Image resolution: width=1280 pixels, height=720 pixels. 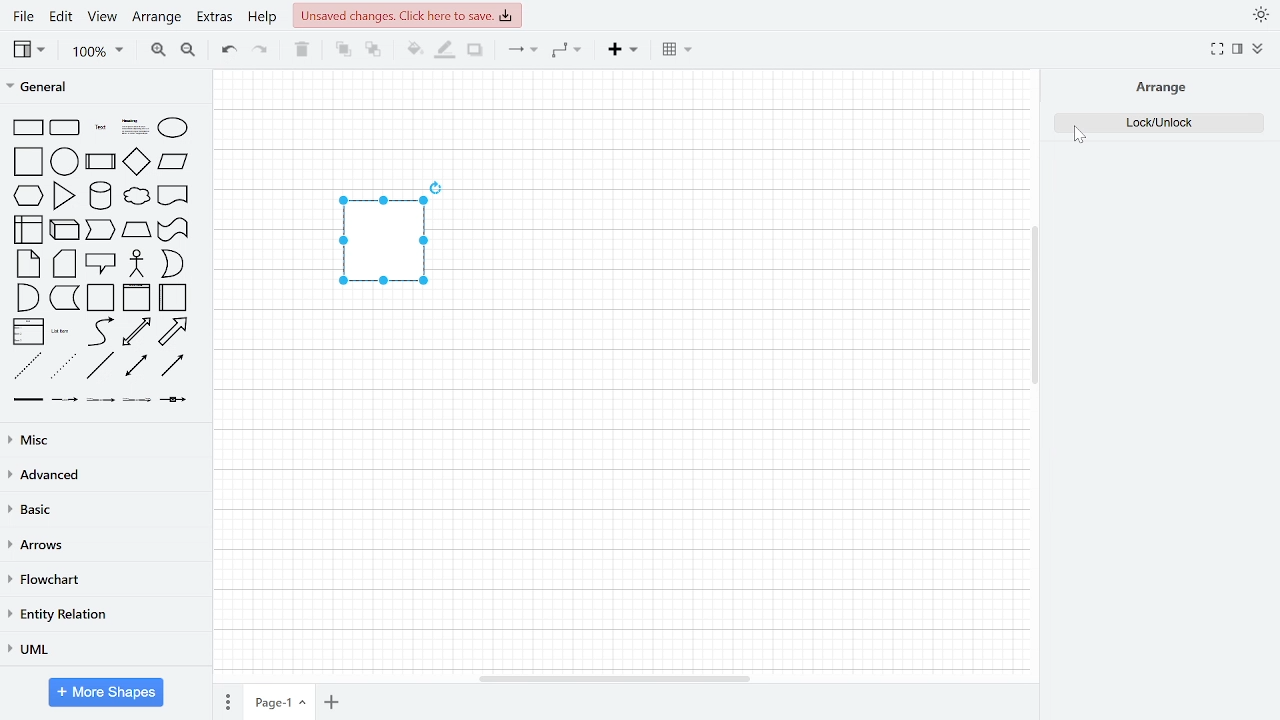 What do you see at coordinates (103, 475) in the screenshot?
I see `advanced` at bounding box center [103, 475].